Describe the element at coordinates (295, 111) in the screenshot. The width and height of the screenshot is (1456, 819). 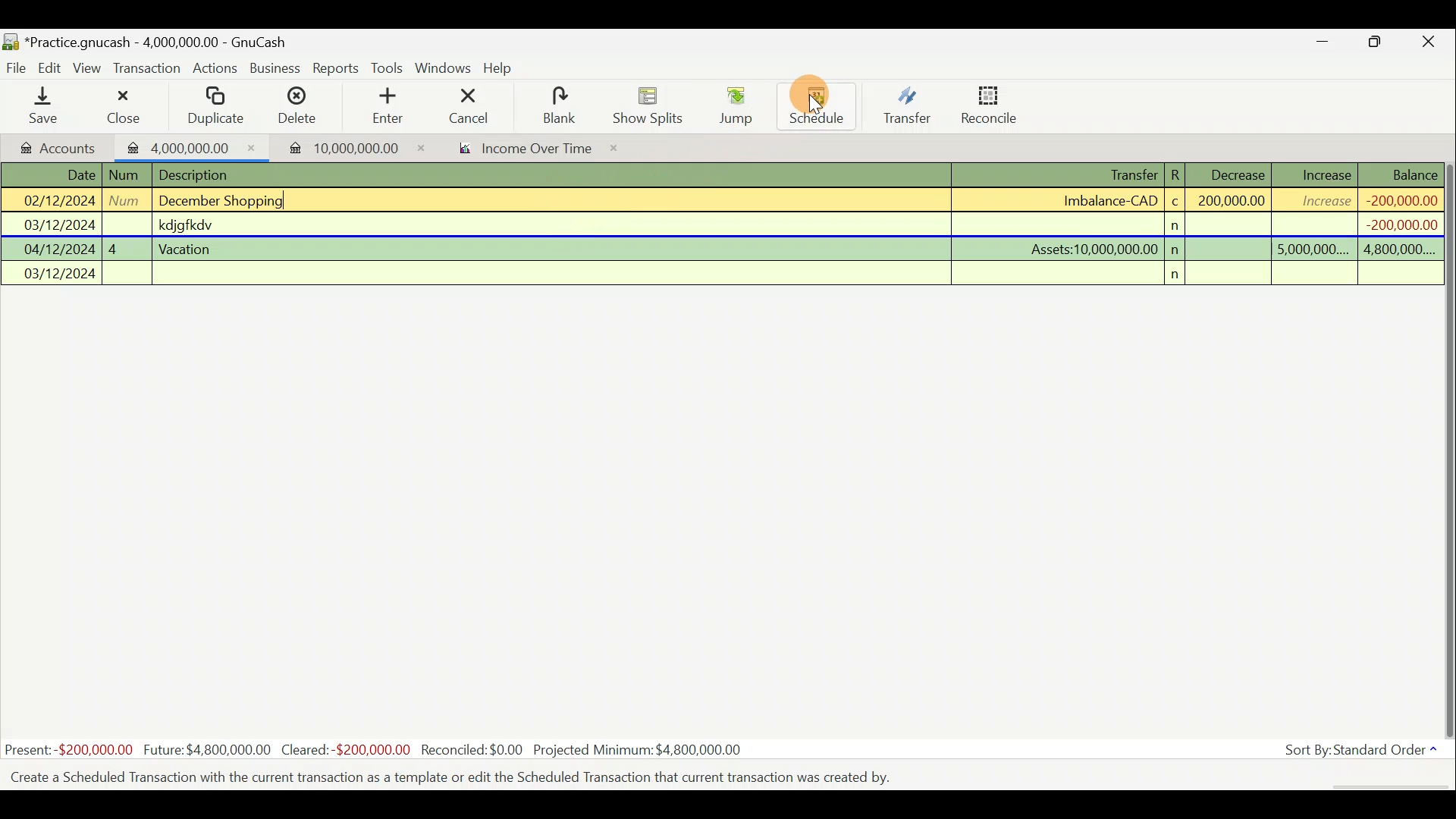
I see `Delete` at that location.